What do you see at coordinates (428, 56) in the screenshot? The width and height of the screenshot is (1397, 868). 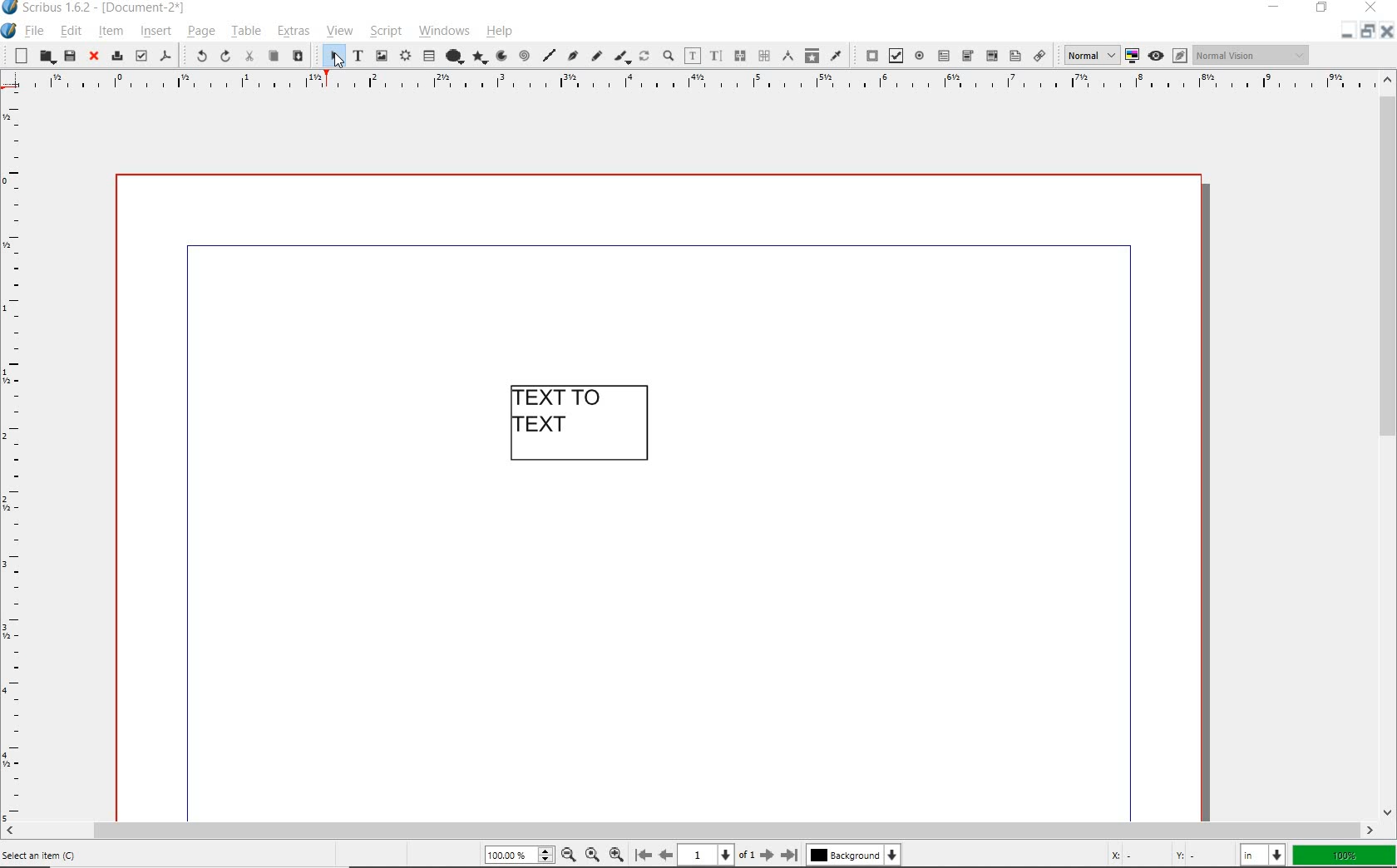 I see `table` at bounding box center [428, 56].